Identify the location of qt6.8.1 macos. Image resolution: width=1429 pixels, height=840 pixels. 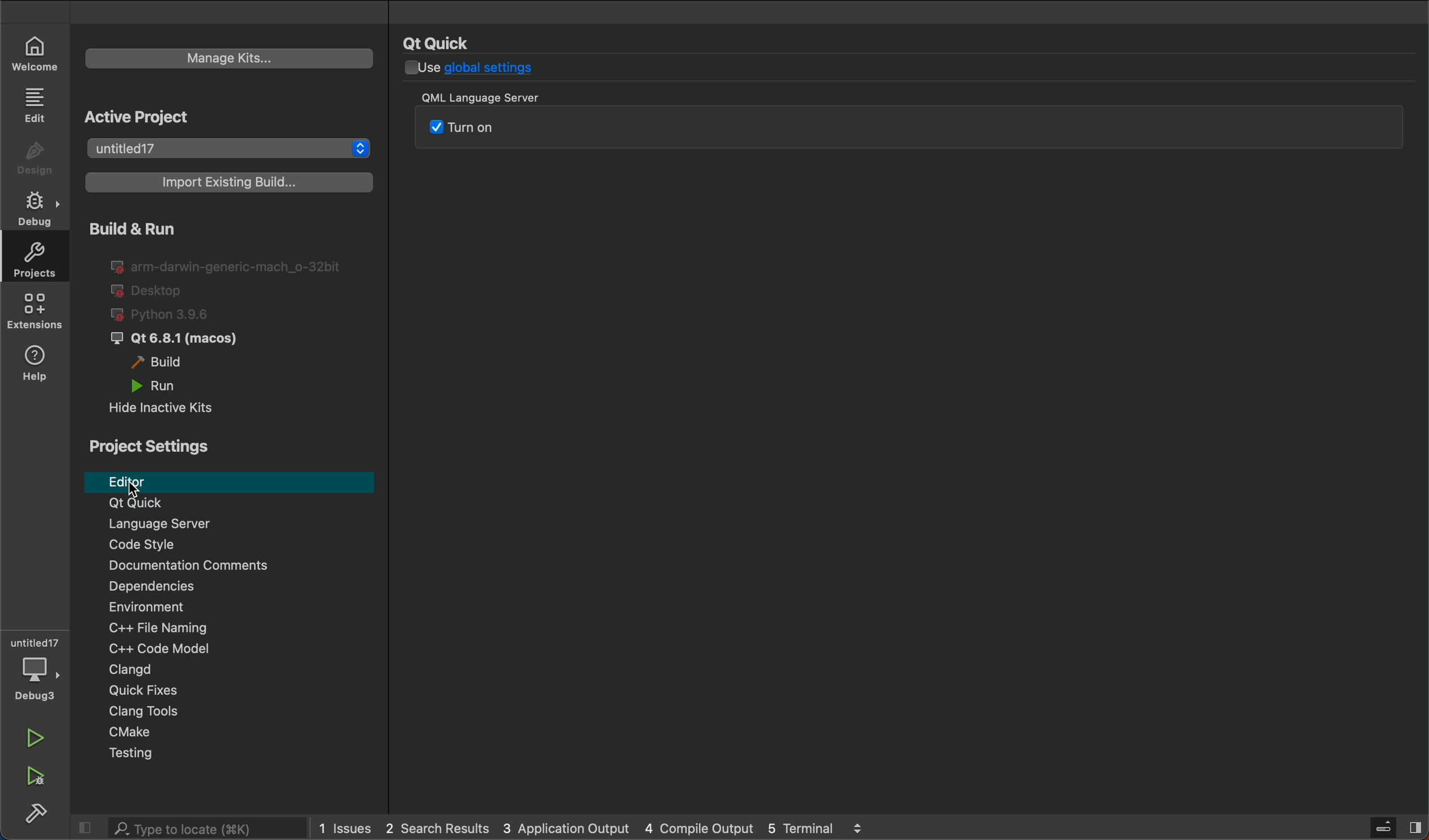
(173, 338).